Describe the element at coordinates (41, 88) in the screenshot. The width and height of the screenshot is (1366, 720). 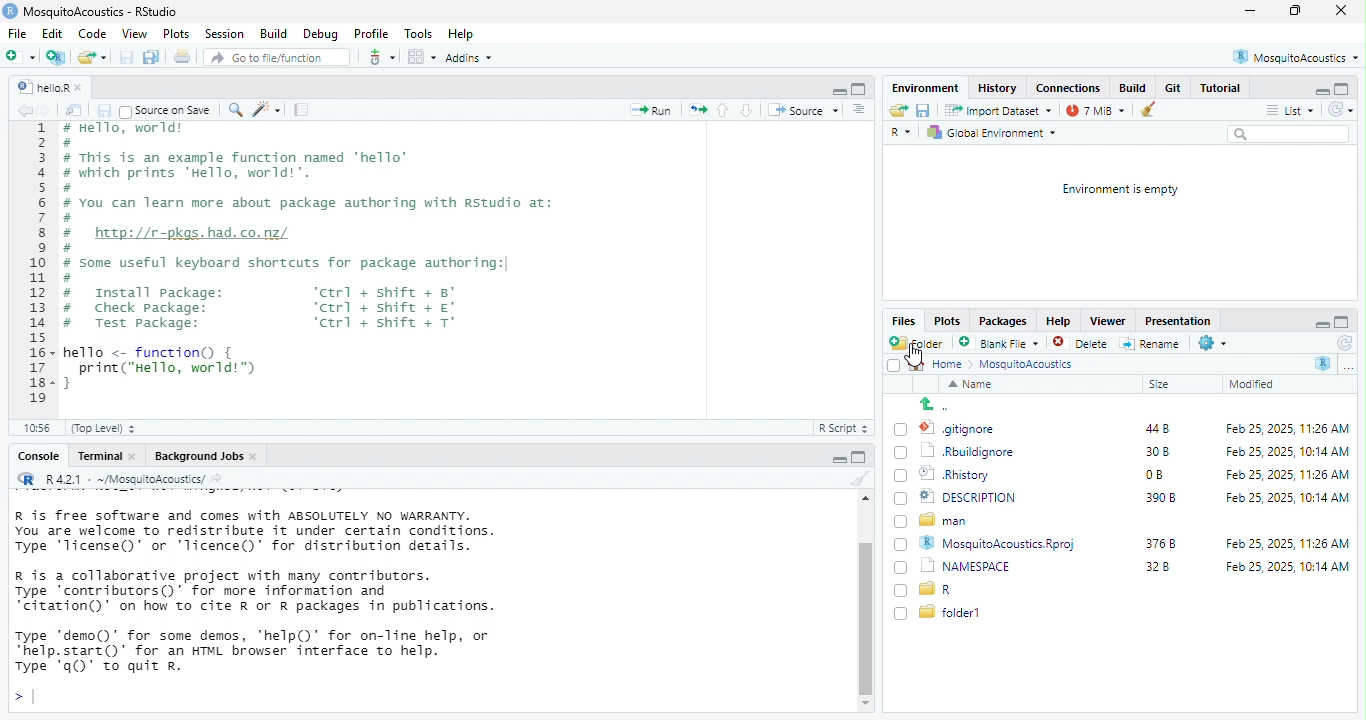
I see ` hellor` at that location.